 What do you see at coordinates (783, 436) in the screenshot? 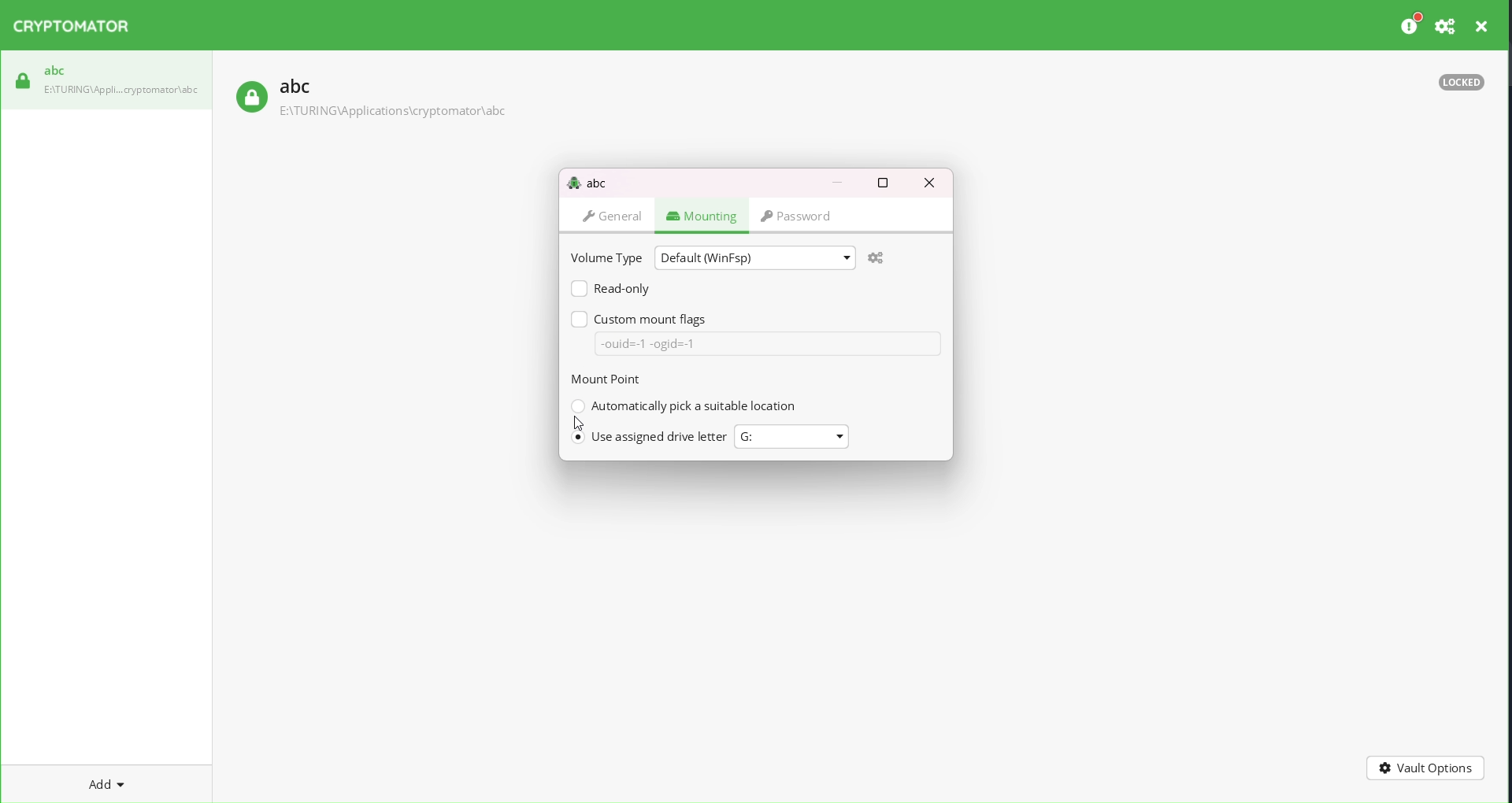
I see `current drive` at bounding box center [783, 436].